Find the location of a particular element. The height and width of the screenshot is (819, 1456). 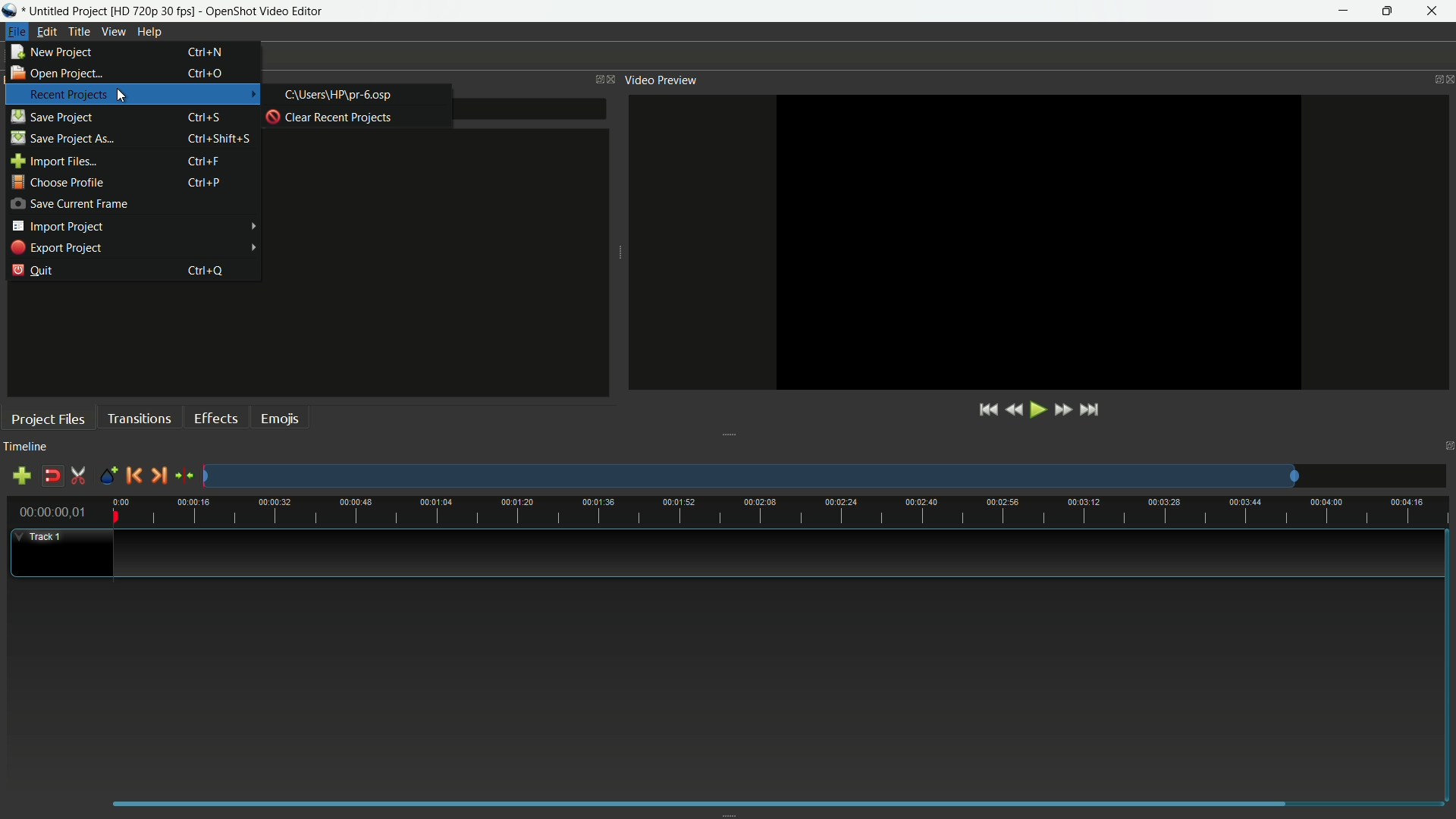

maximize is located at coordinates (1389, 11).